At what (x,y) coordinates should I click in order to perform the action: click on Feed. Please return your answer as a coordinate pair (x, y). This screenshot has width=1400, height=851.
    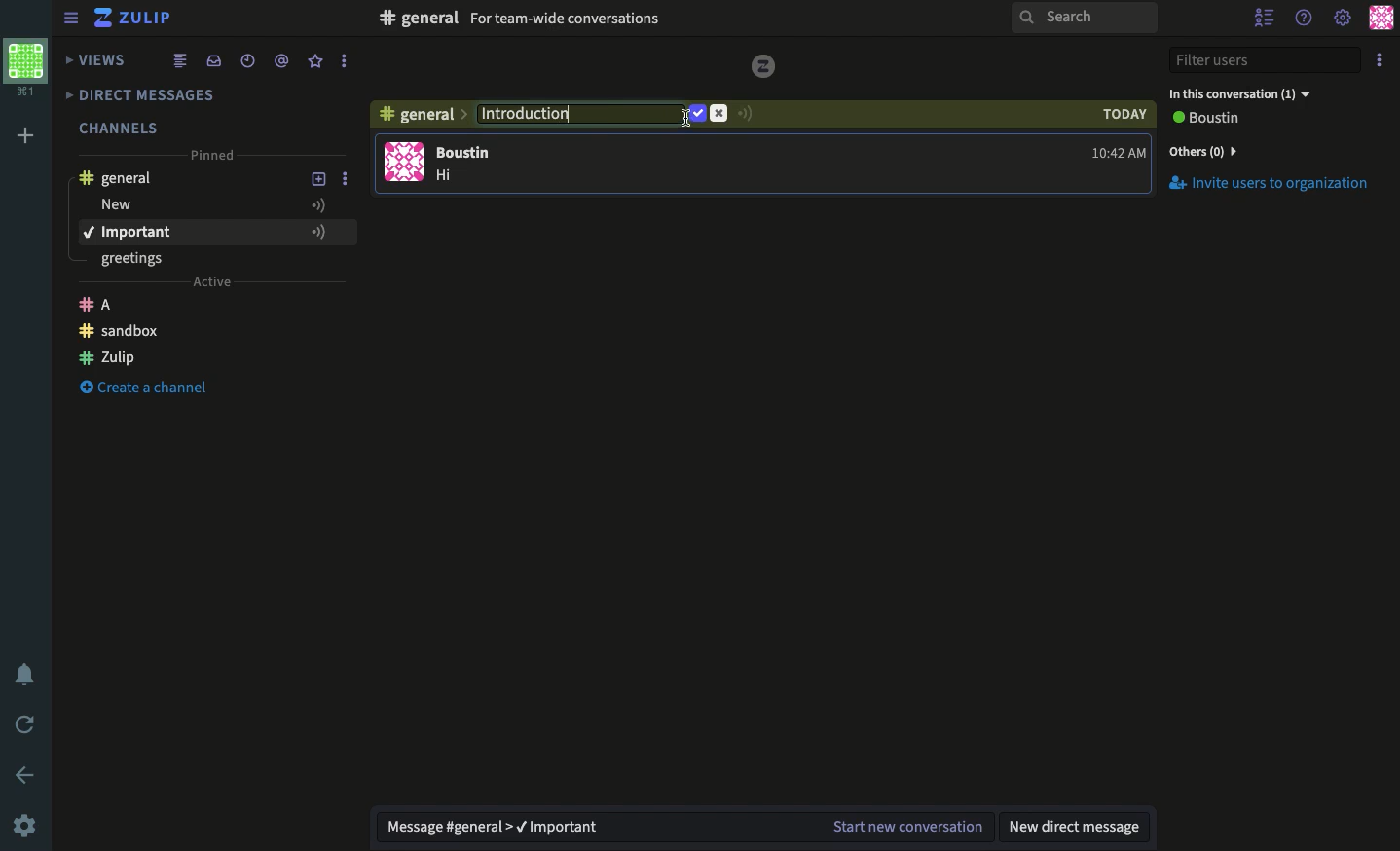
    Looking at the image, I should click on (182, 59).